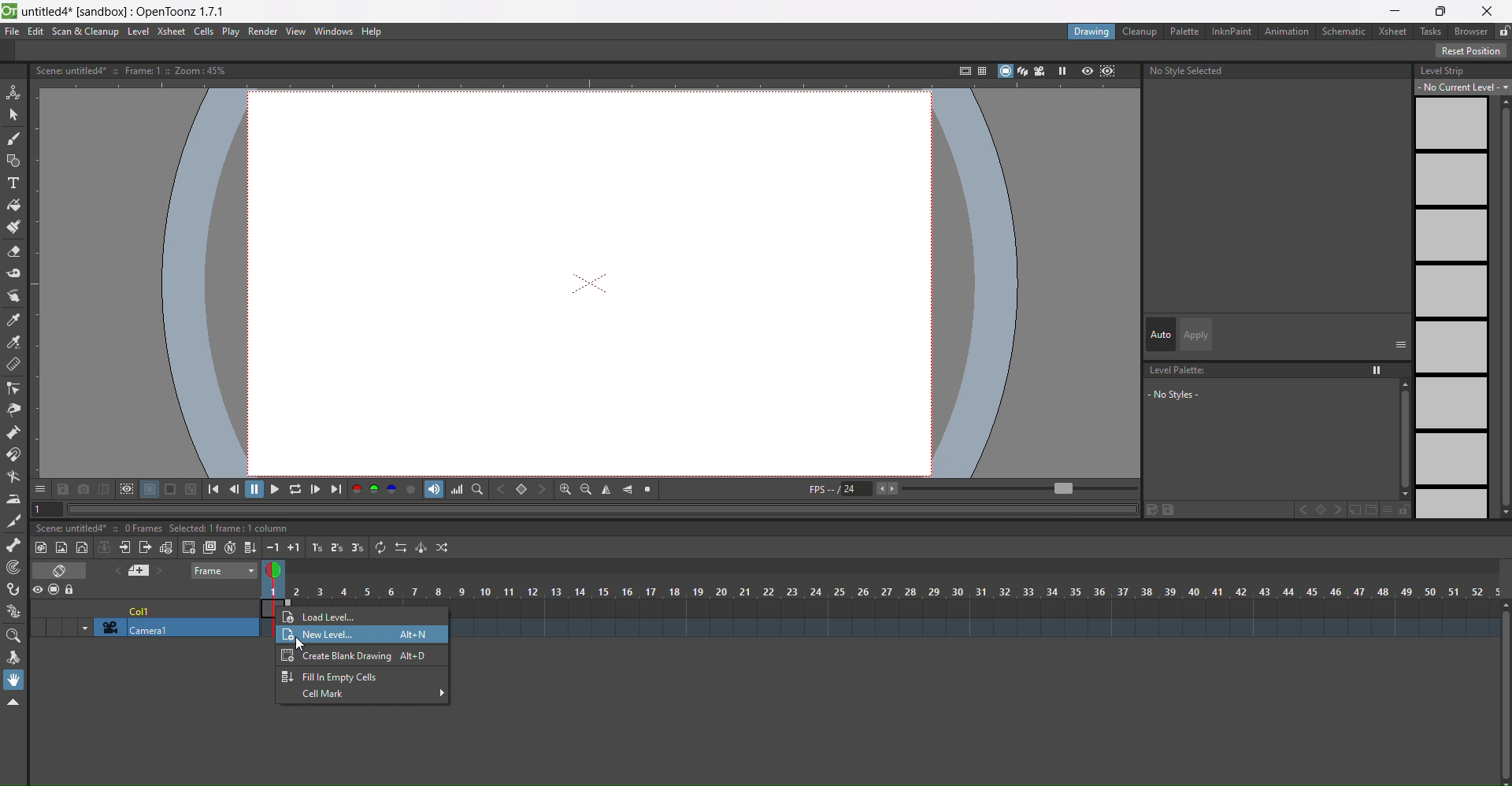 The width and height of the screenshot is (1512, 786). Describe the element at coordinates (1488, 11) in the screenshot. I see `close` at that location.